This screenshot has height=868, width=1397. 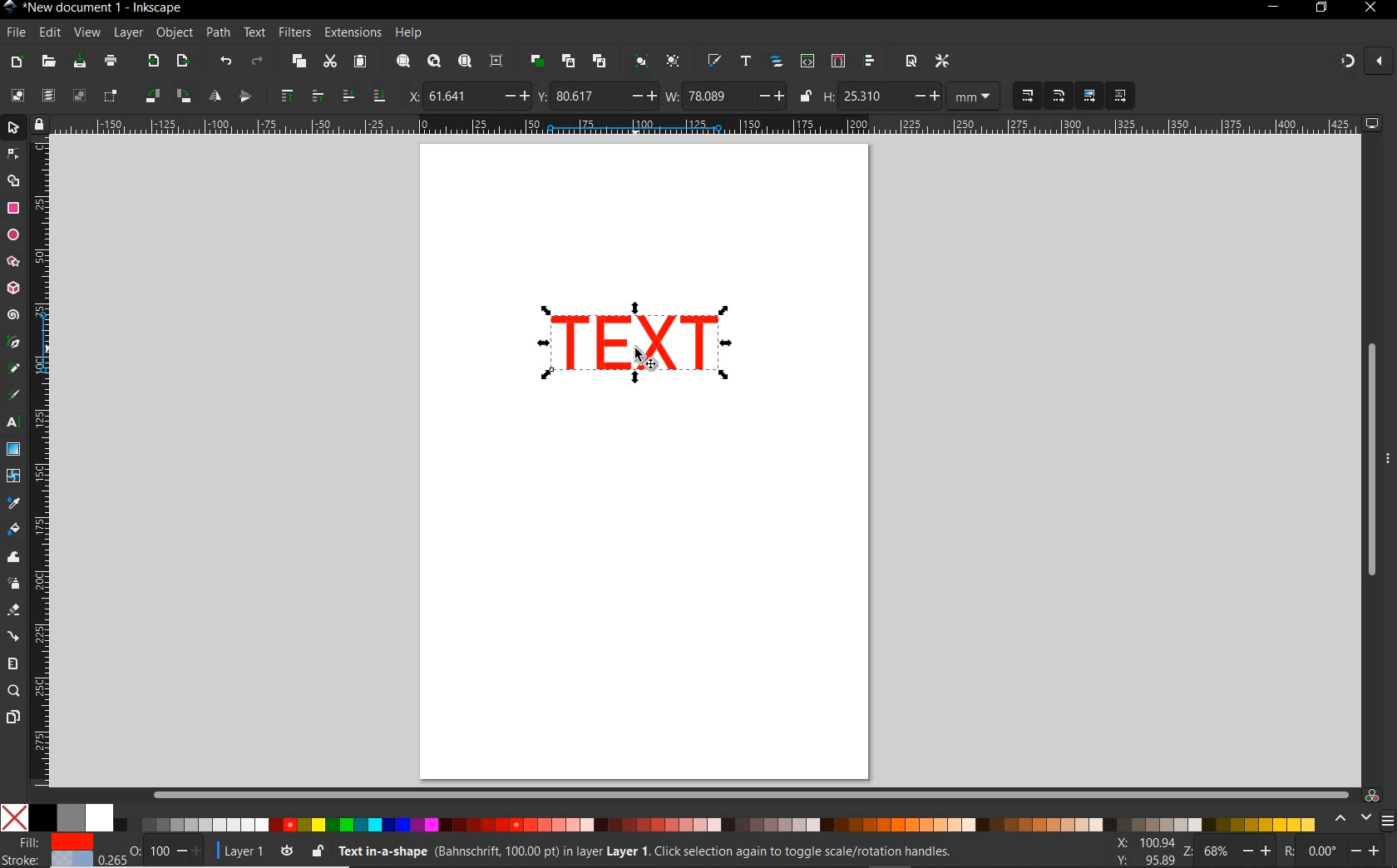 I want to click on zoom page, so click(x=464, y=61).